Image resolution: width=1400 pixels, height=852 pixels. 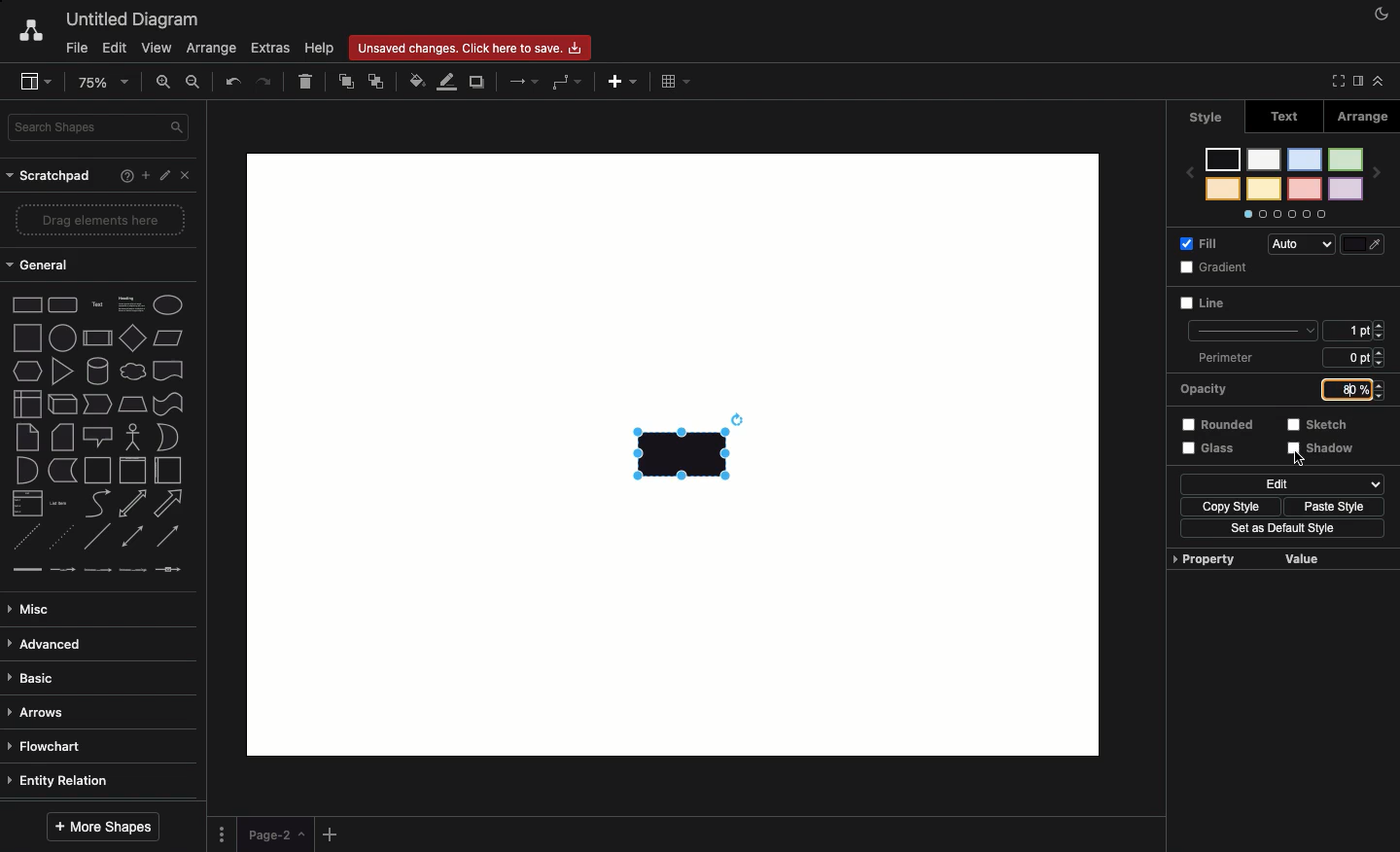 I want to click on File, so click(x=74, y=48).